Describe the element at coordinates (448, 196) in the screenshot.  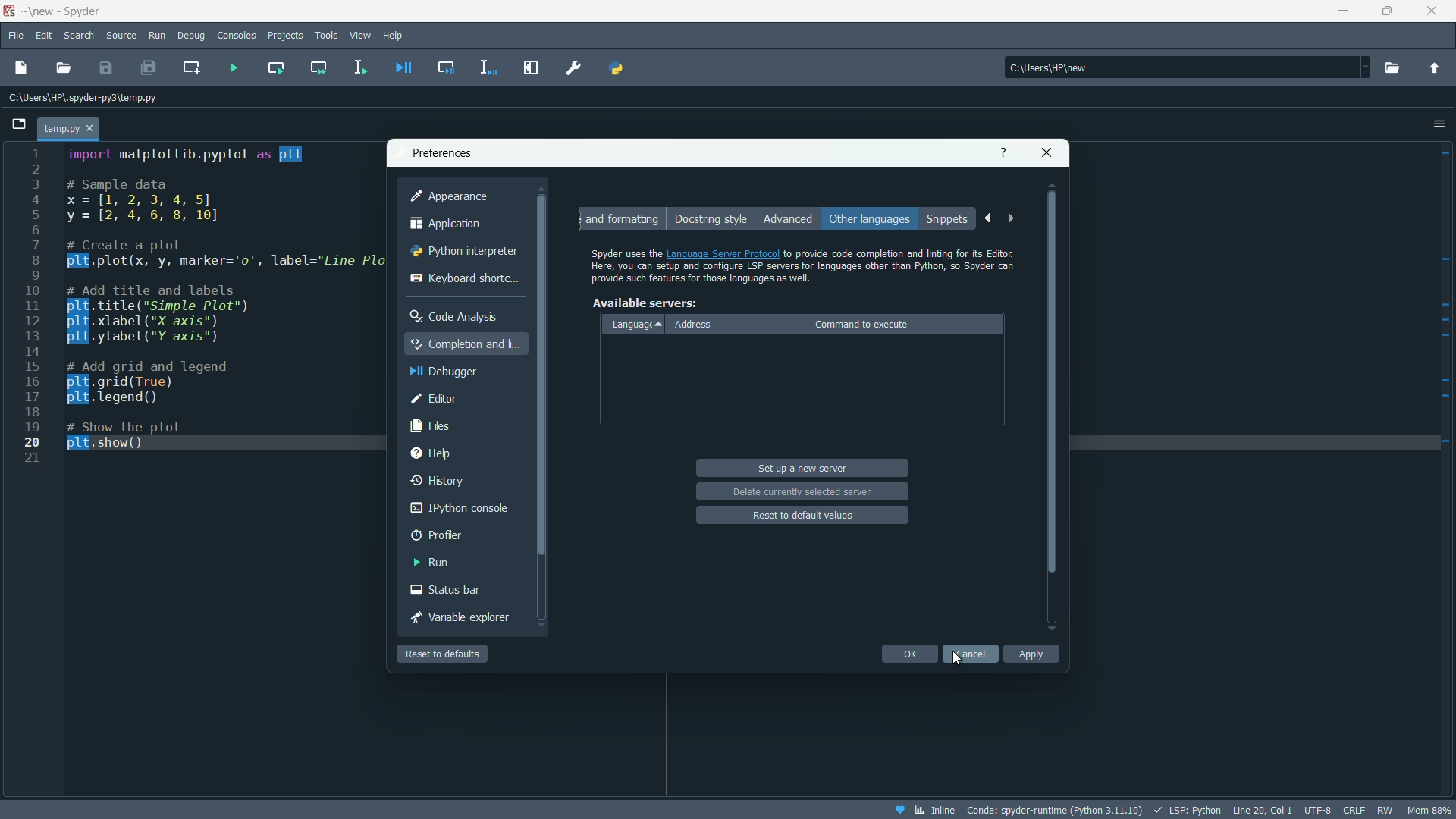
I see `appearance` at that location.